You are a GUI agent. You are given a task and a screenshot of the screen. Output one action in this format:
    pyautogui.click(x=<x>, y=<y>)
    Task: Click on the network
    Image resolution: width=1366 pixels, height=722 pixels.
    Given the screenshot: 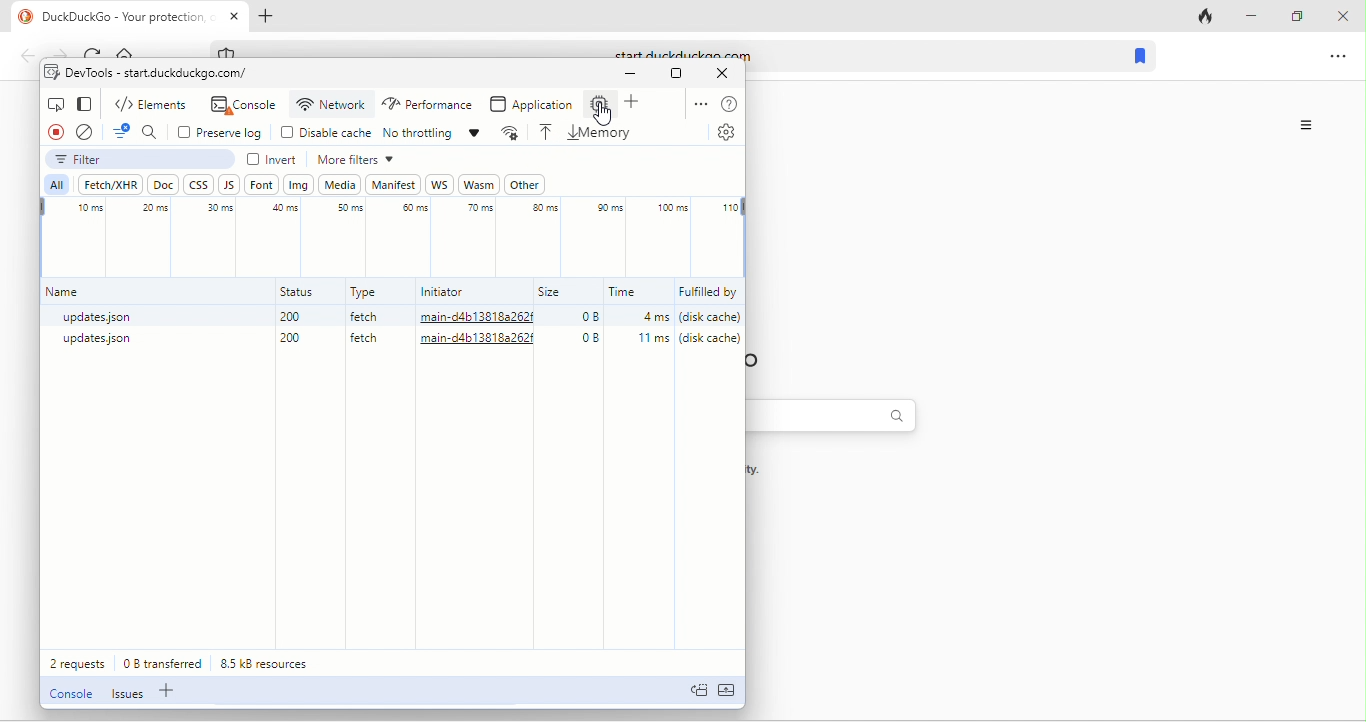 What is the action you would take?
    pyautogui.click(x=331, y=104)
    